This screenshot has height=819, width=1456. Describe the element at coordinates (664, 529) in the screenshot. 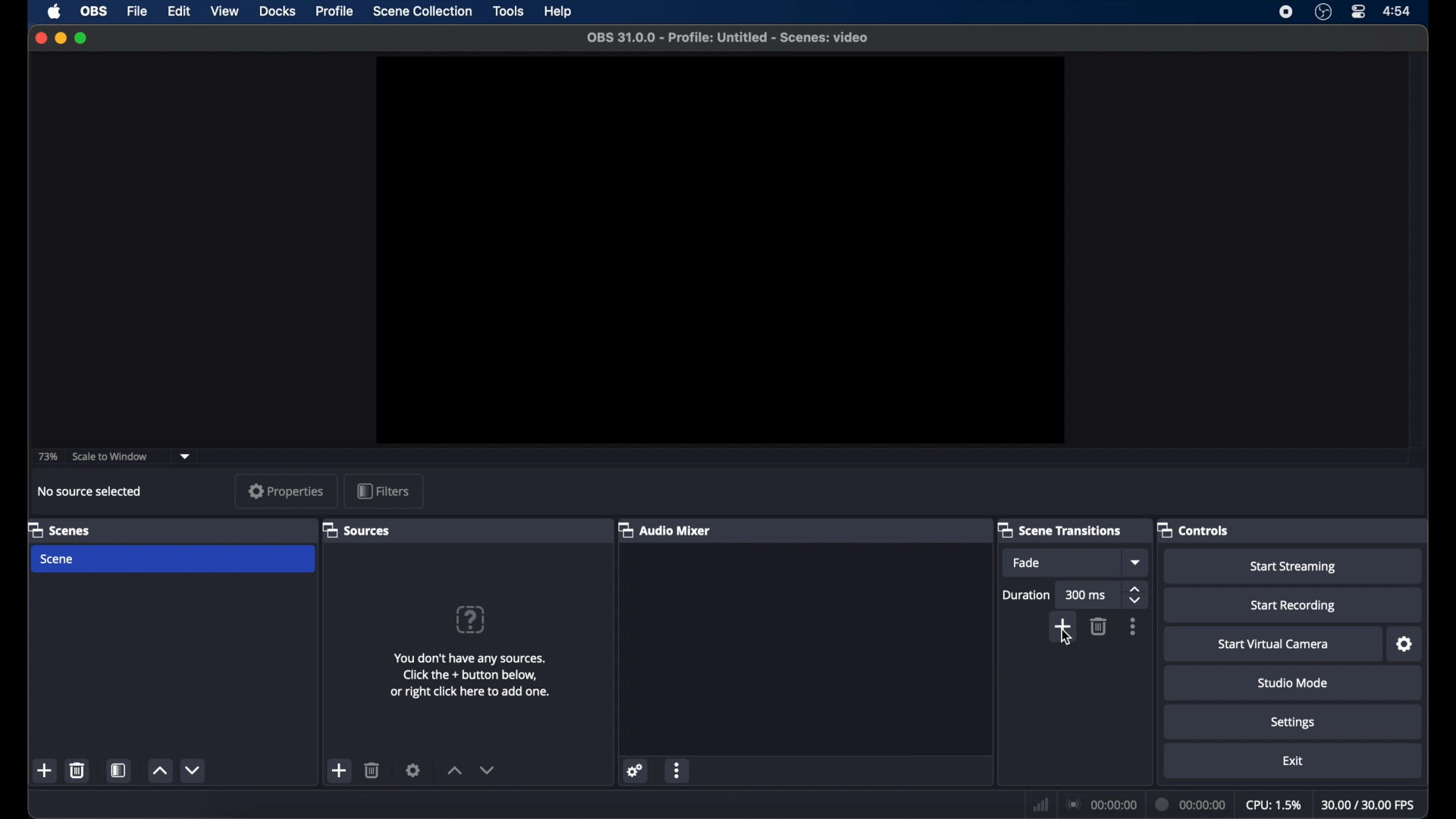

I see `audio mixer` at that location.